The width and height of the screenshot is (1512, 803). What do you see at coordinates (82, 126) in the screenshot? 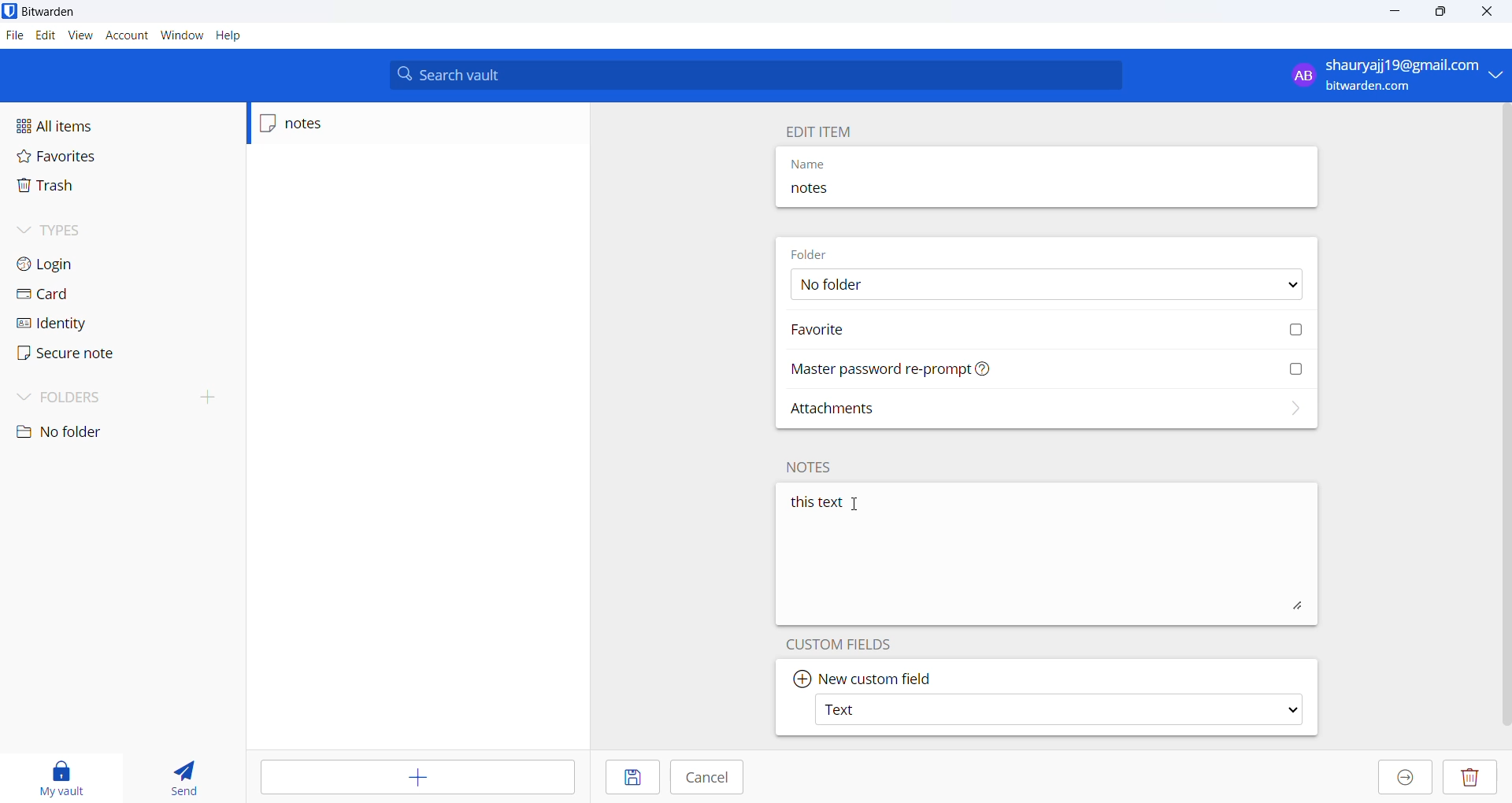
I see `all items` at bounding box center [82, 126].